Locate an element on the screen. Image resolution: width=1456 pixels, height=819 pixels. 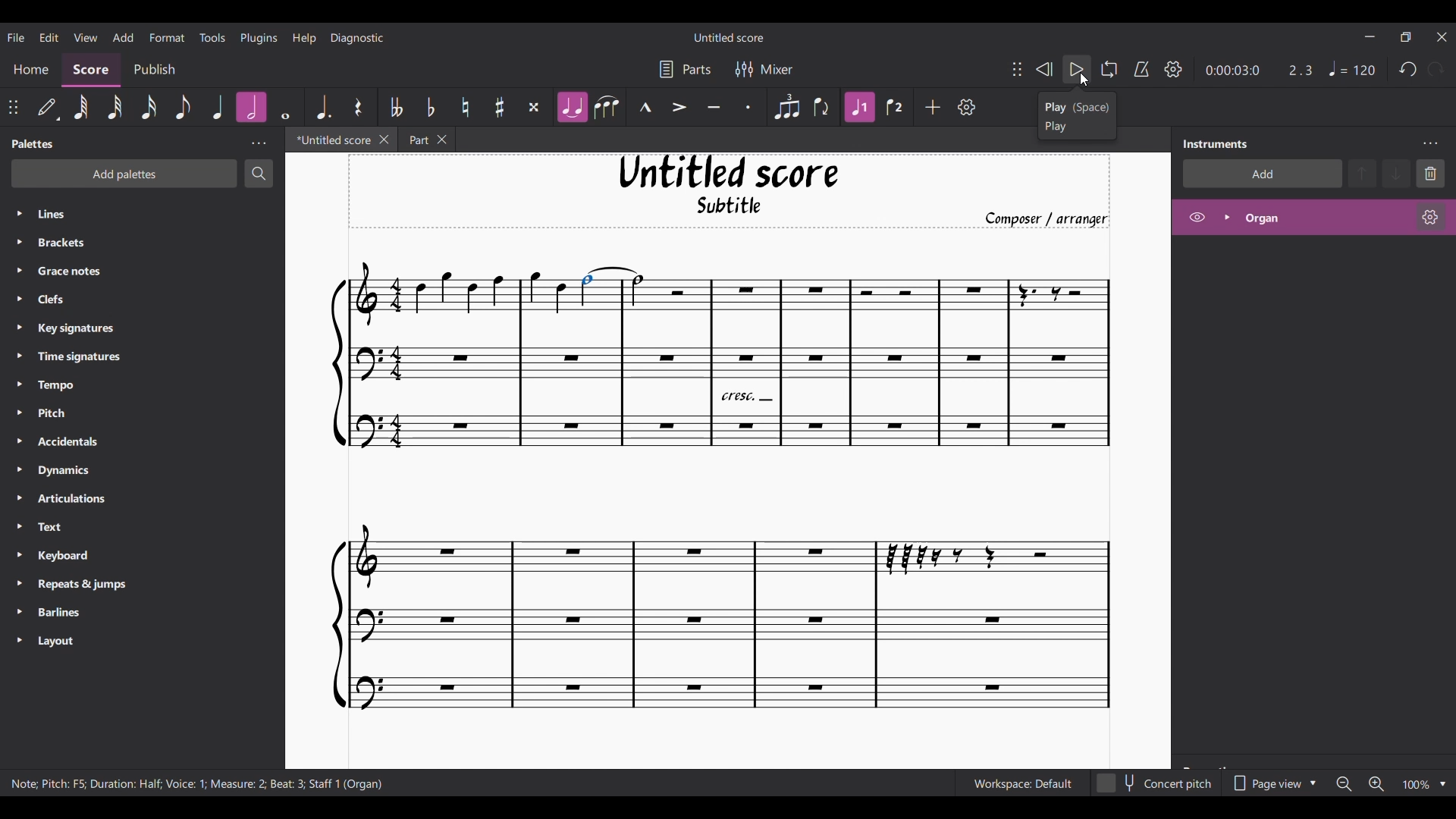
Highlighted to form current combination is located at coordinates (572, 107).